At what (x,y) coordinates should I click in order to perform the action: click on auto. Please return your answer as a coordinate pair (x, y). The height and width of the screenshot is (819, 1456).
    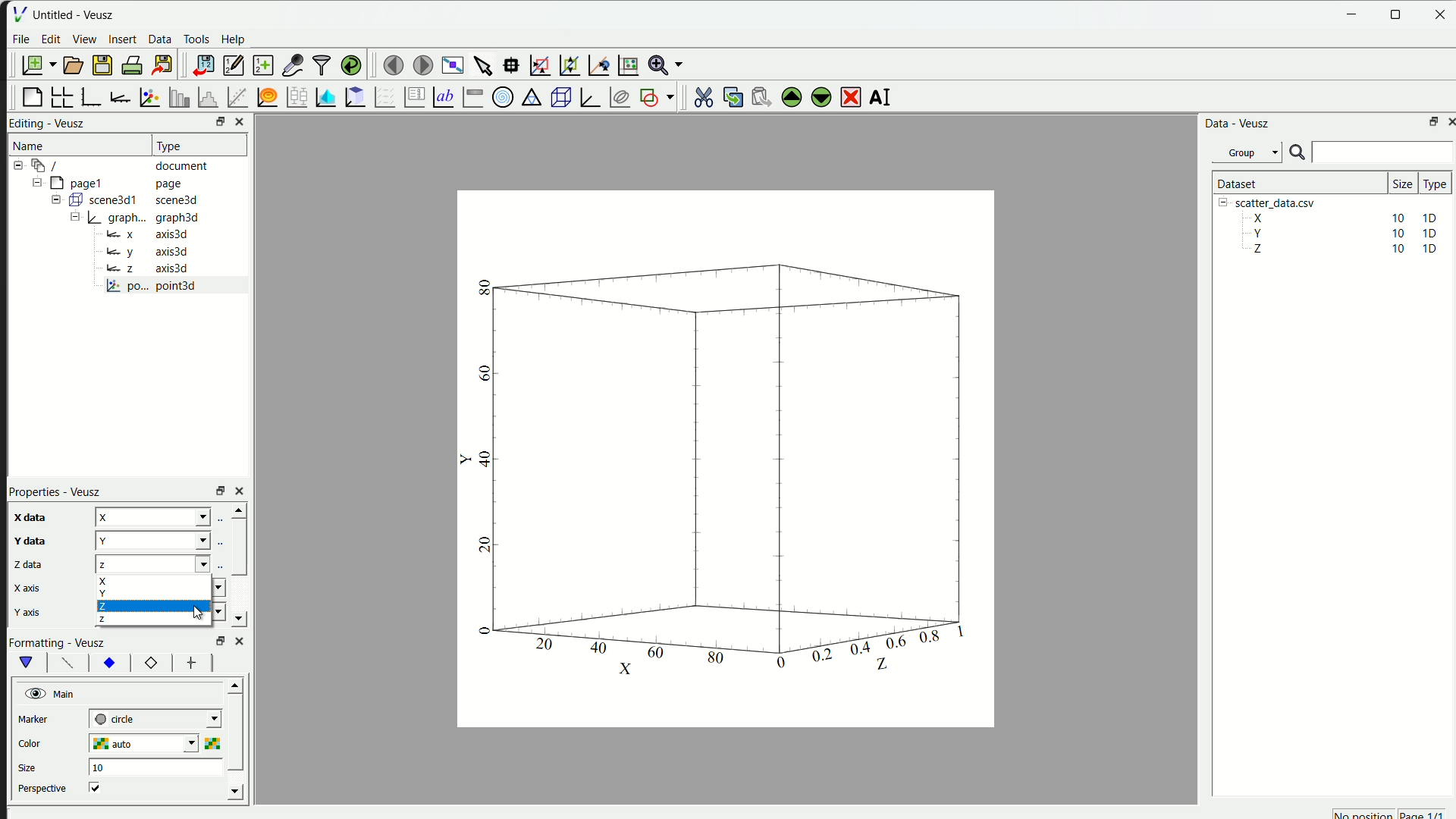
    Looking at the image, I should click on (158, 745).